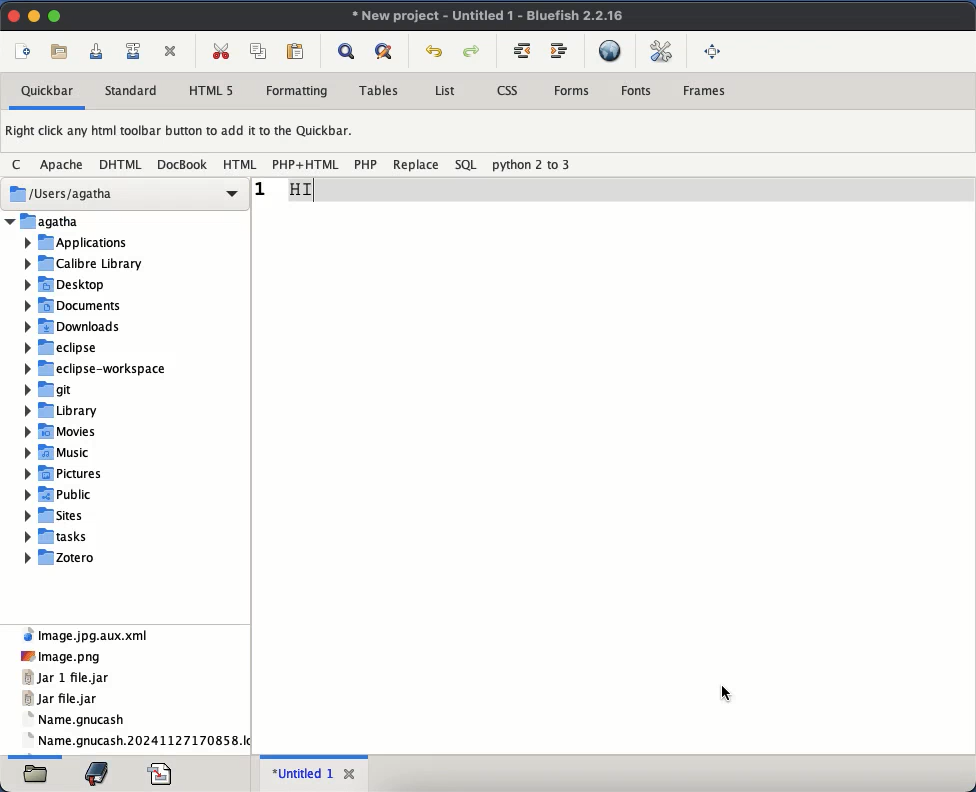 This screenshot has width=976, height=792. I want to click on gnucash, so click(80, 719).